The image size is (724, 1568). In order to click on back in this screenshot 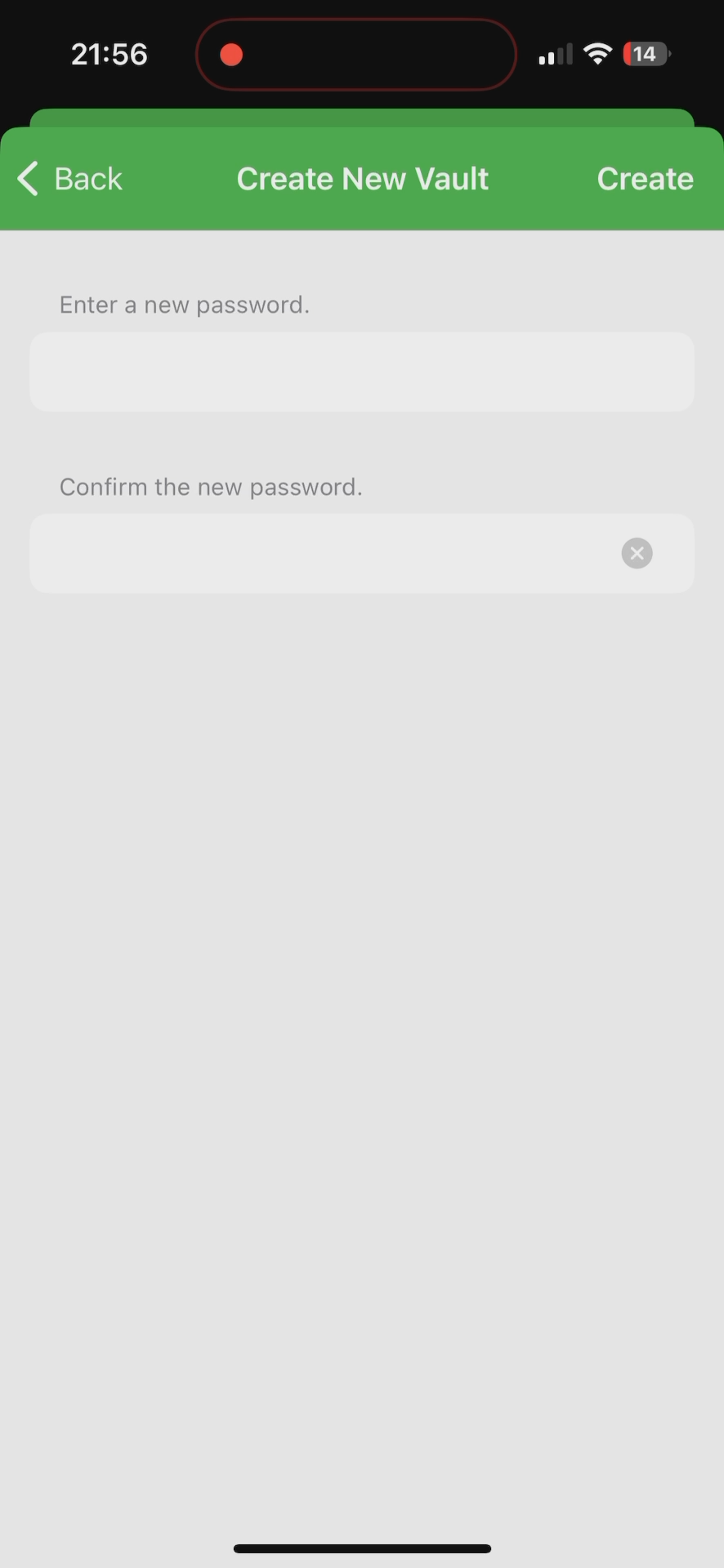, I will do `click(72, 183)`.